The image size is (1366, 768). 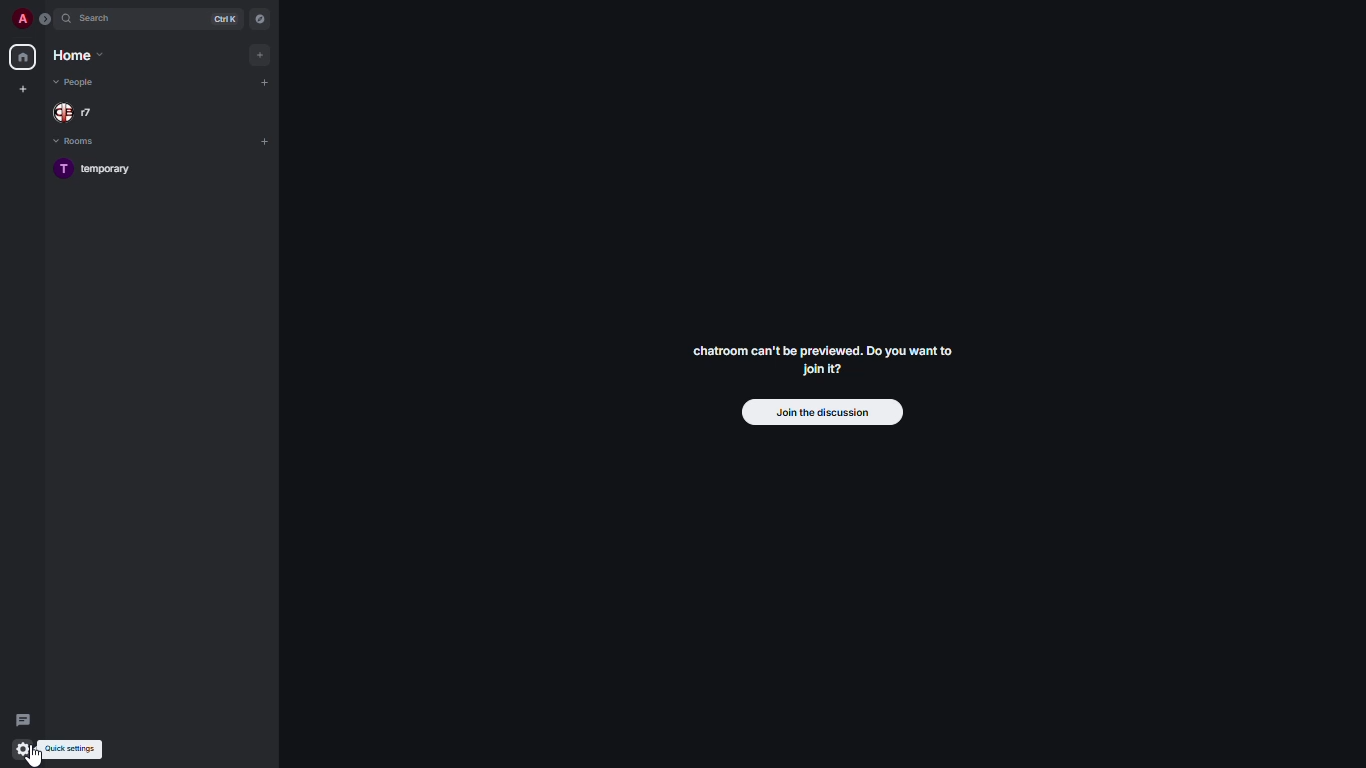 What do you see at coordinates (96, 18) in the screenshot?
I see `search` at bounding box center [96, 18].